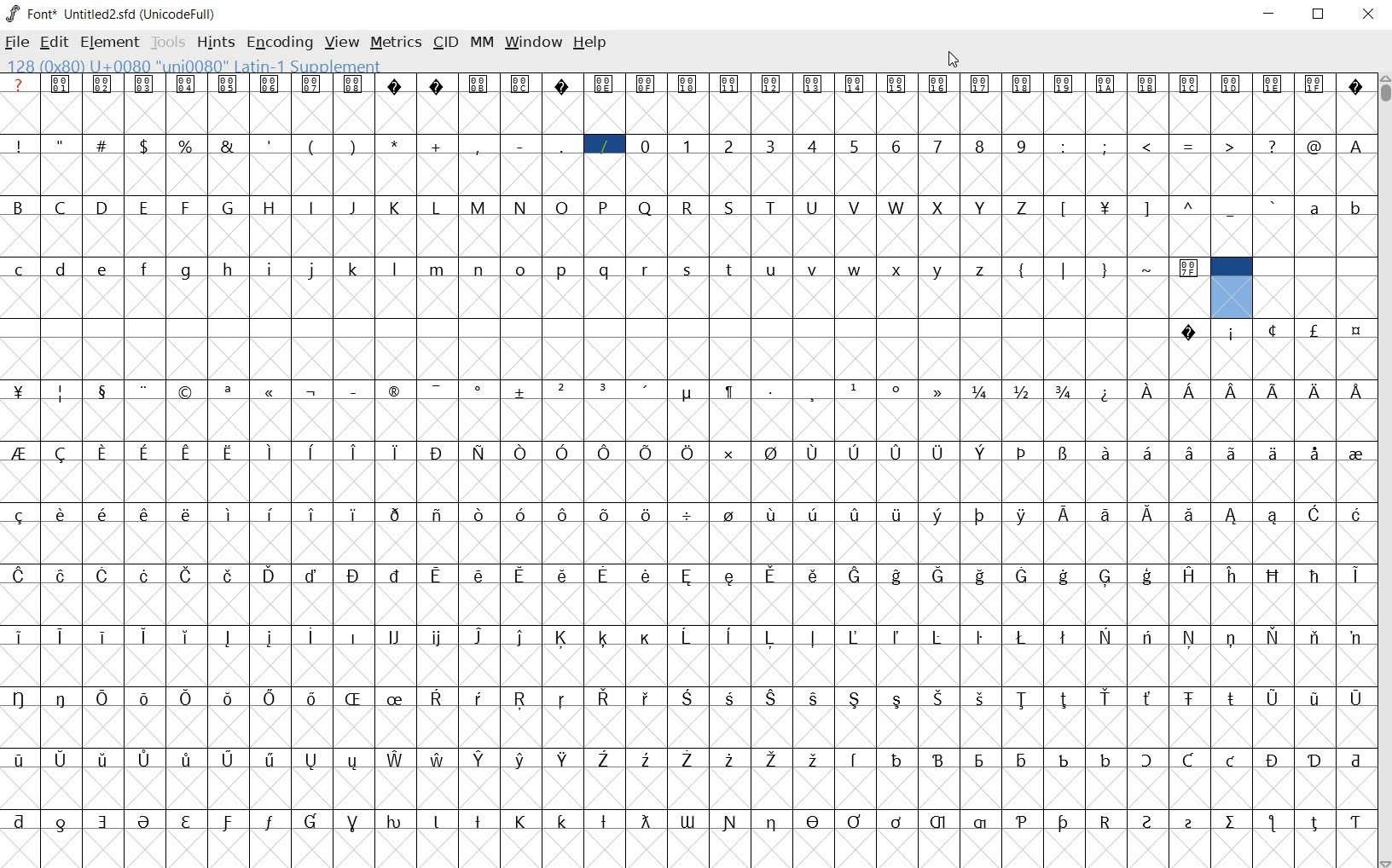 This screenshot has width=1392, height=868. Describe the element at coordinates (689, 83) in the screenshot. I see `Symbol` at that location.